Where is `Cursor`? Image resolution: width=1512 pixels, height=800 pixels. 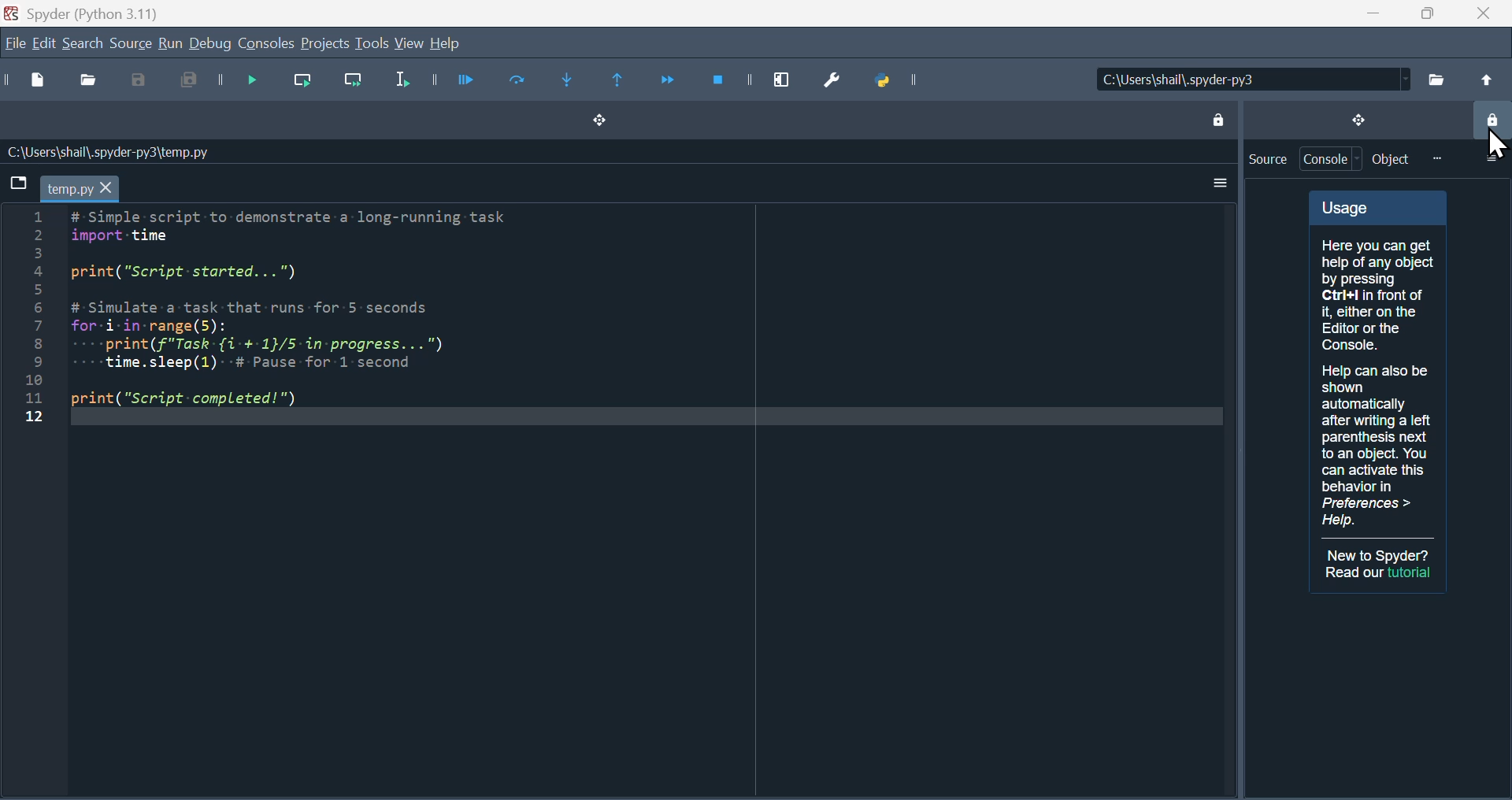 Cursor is located at coordinates (1489, 145).